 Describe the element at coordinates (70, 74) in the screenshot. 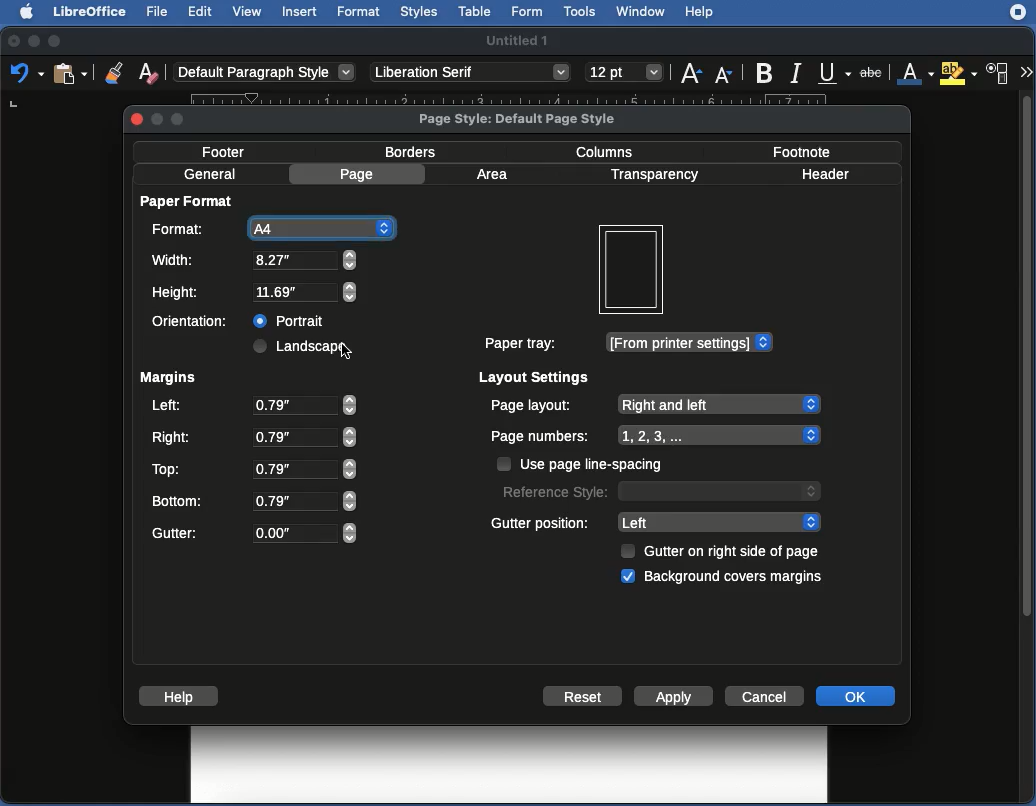

I see `clipboard` at that location.